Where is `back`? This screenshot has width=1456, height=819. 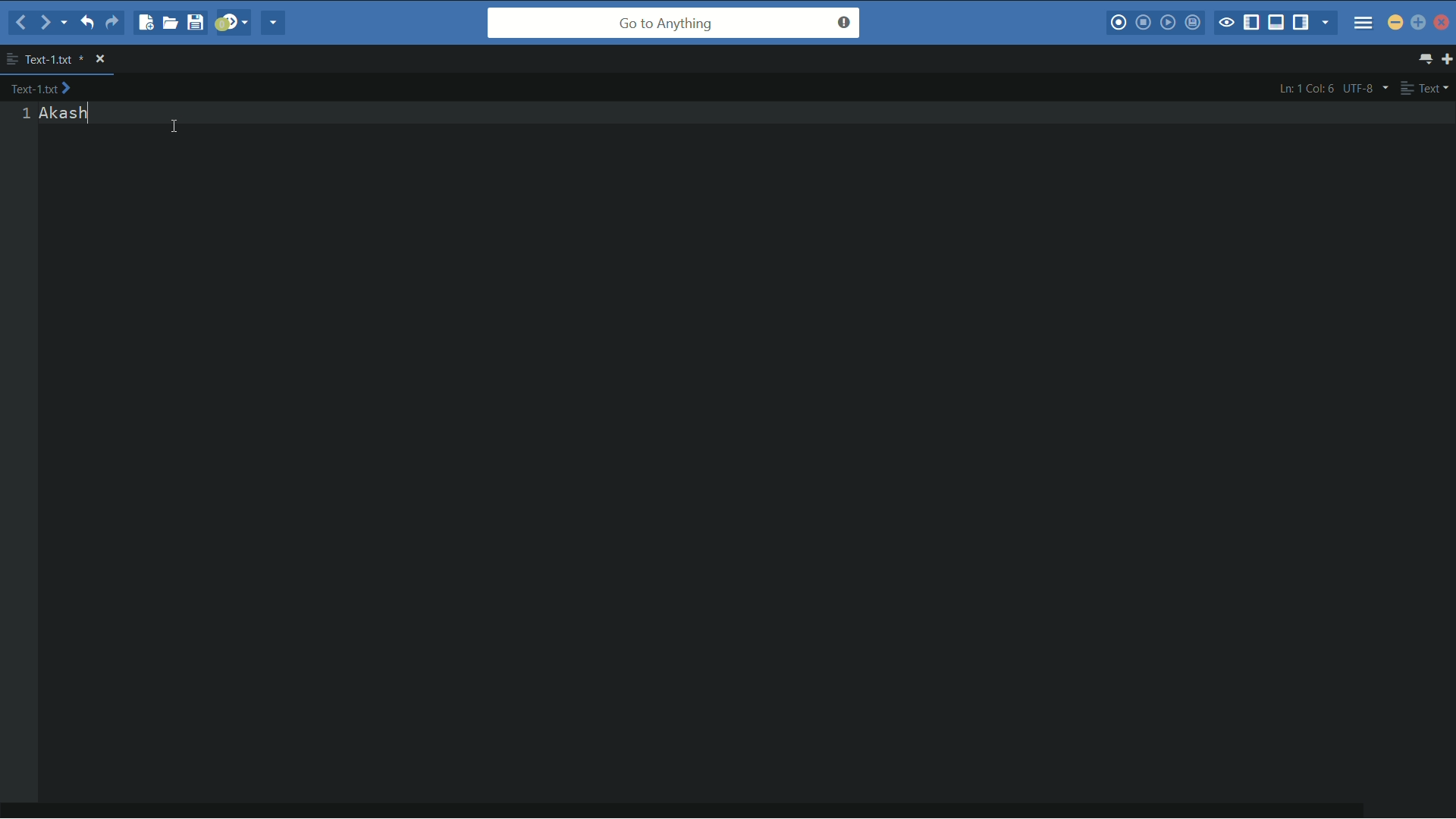 back is located at coordinates (20, 23).